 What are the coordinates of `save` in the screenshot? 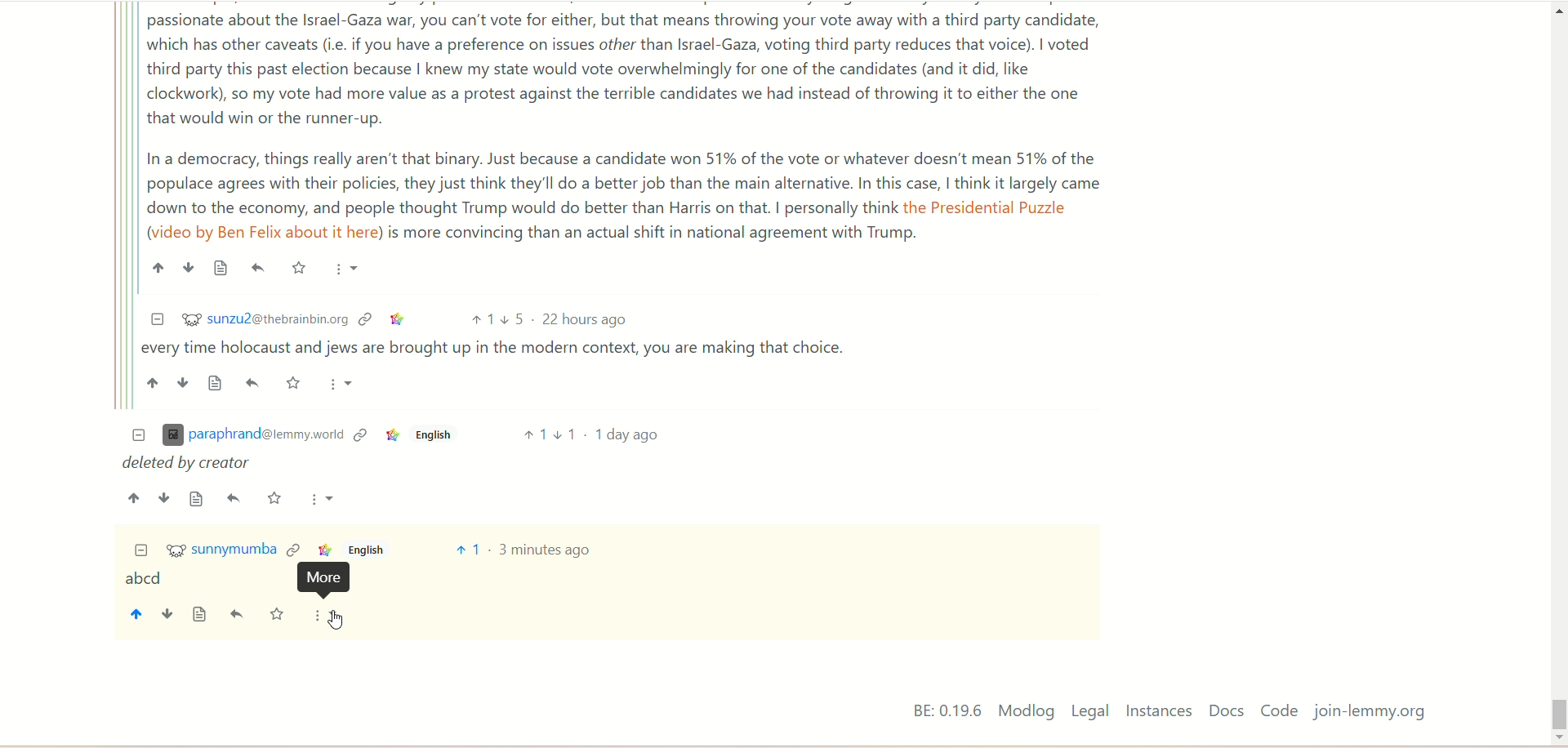 It's located at (277, 616).